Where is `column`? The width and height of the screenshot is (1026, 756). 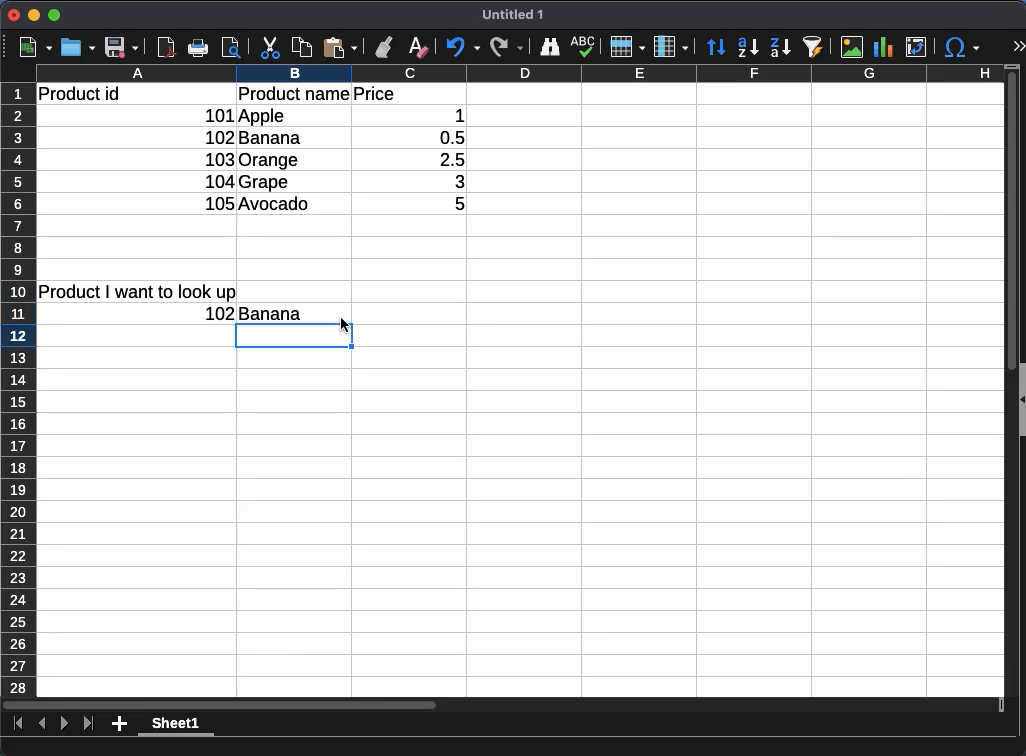 column is located at coordinates (671, 47).